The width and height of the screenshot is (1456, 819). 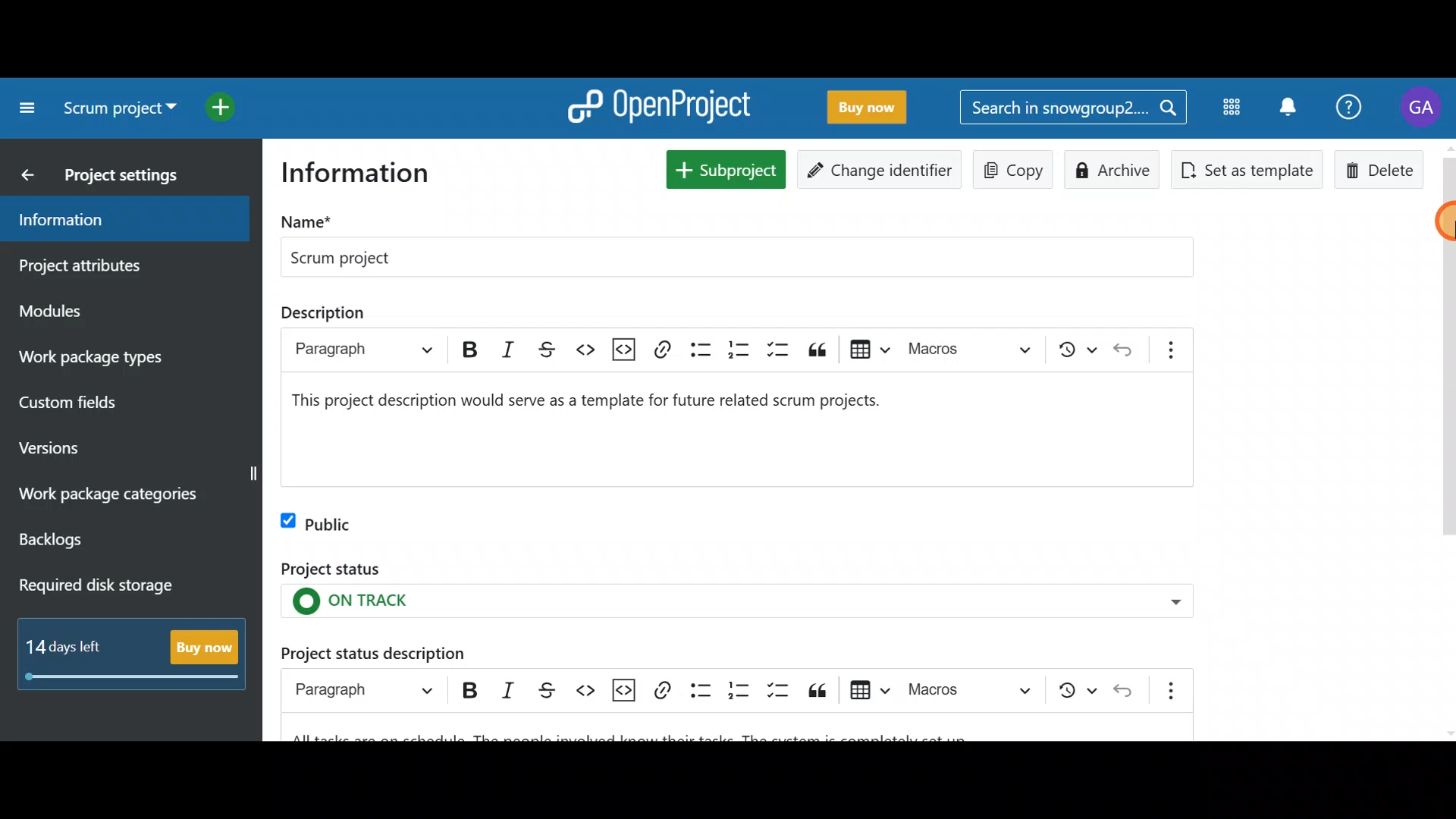 What do you see at coordinates (737, 690) in the screenshot?
I see `Numbered list` at bounding box center [737, 690].